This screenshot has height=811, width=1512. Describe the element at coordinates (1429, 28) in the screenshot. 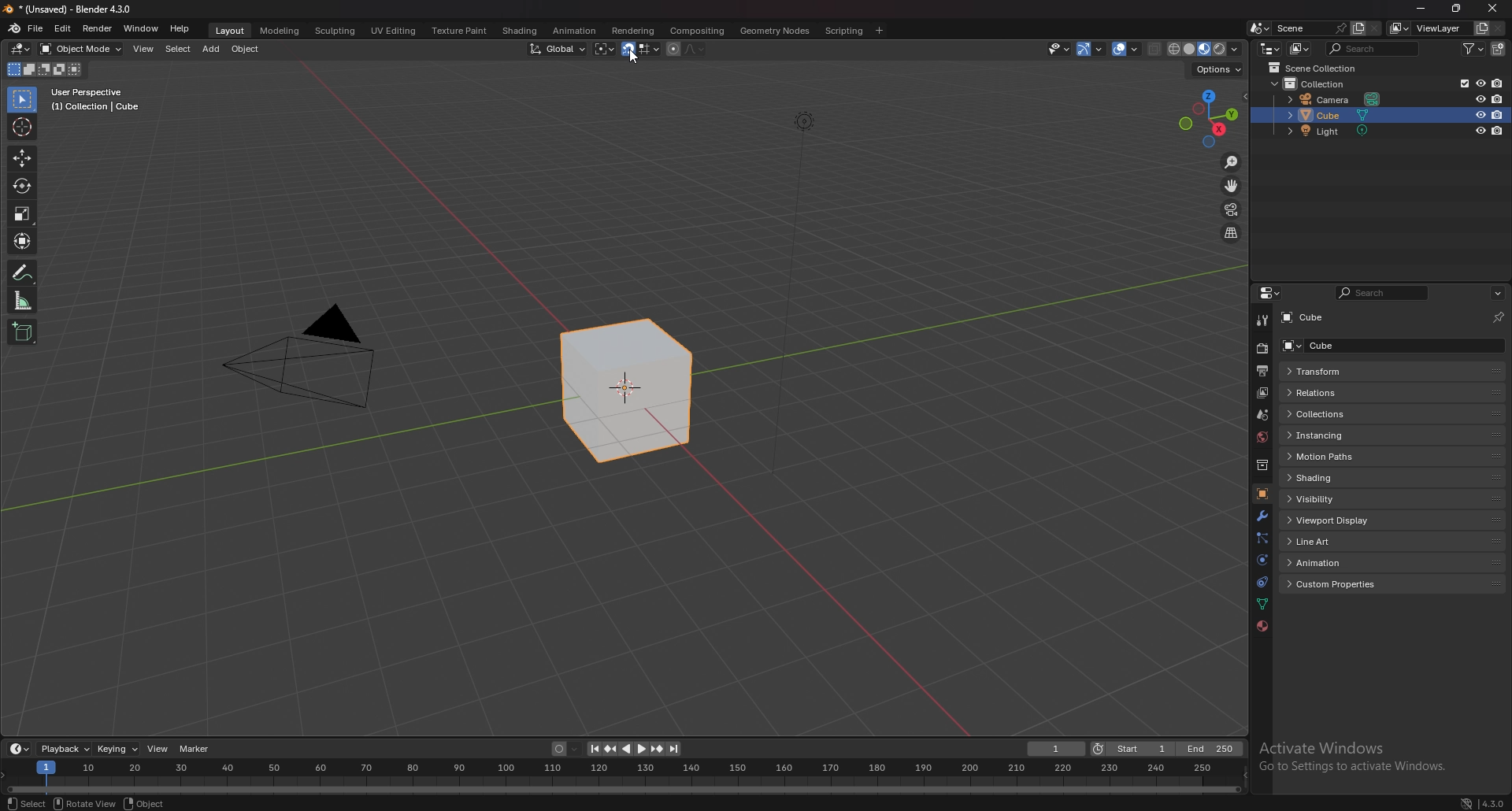

I see `view layer` at that location.